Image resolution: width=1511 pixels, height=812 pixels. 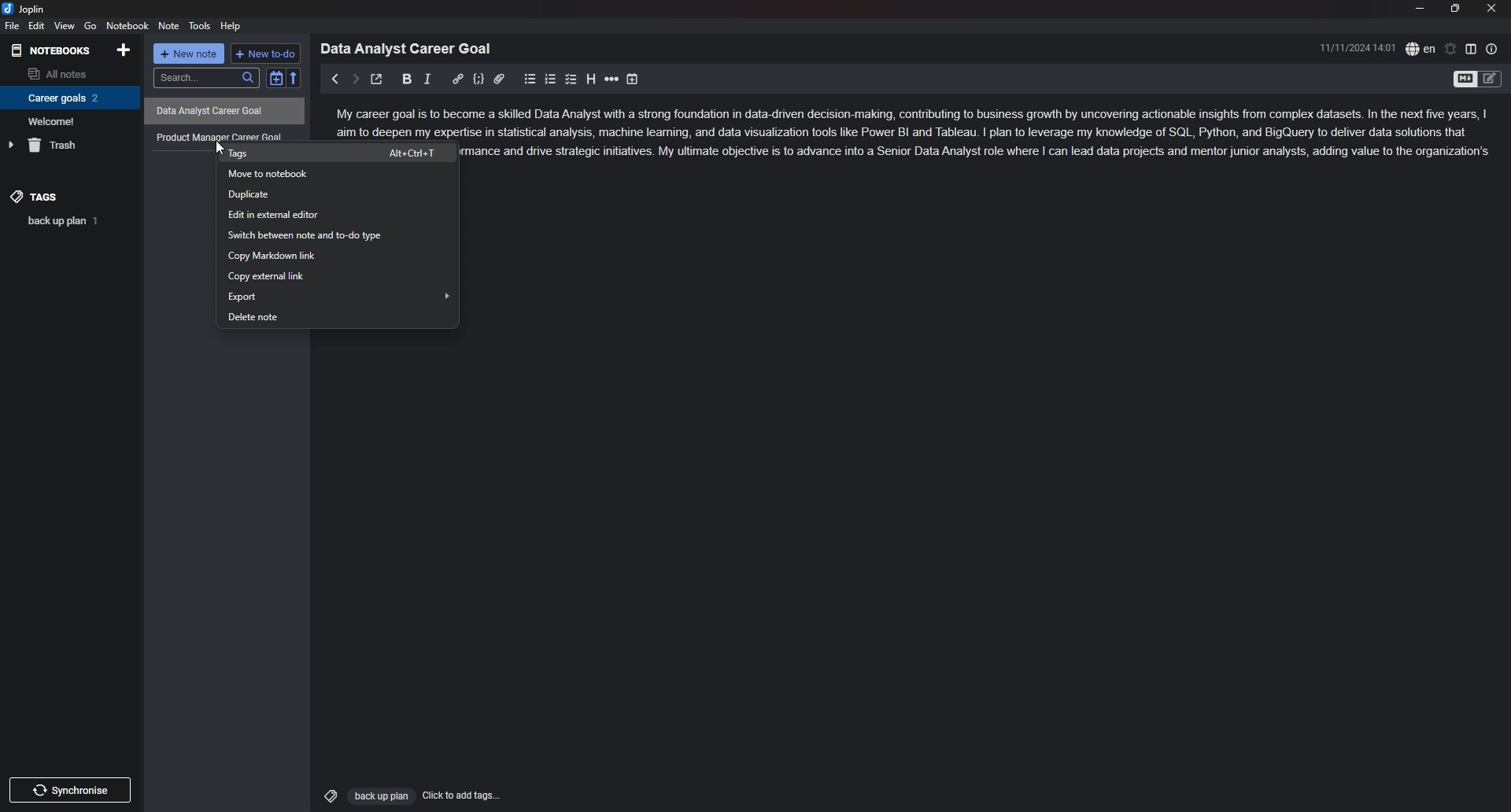 I want to click on hyperlink, so click(x=457, y=79).